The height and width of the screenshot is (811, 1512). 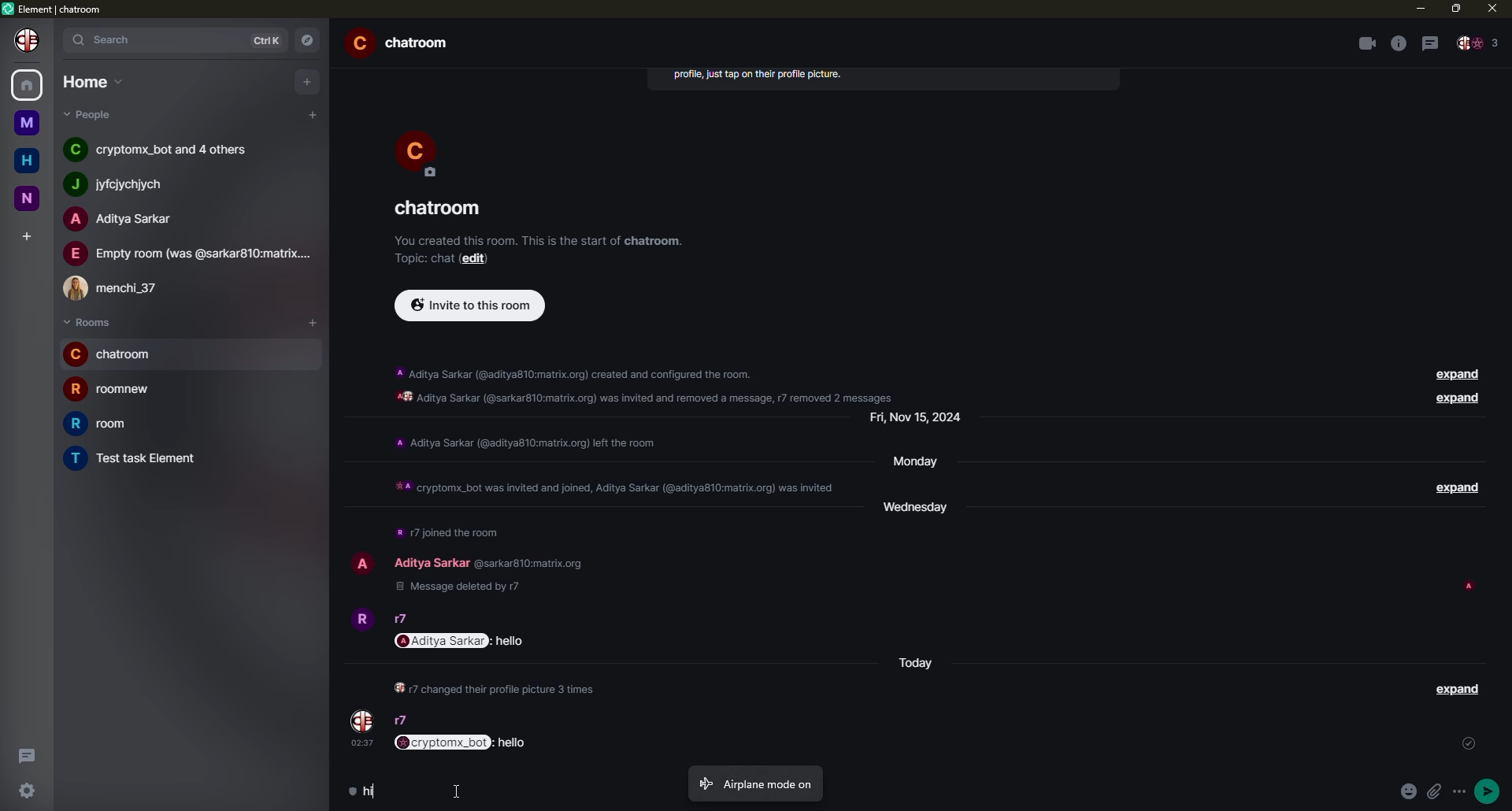 I want to click on add, so click(x=306, y=82).